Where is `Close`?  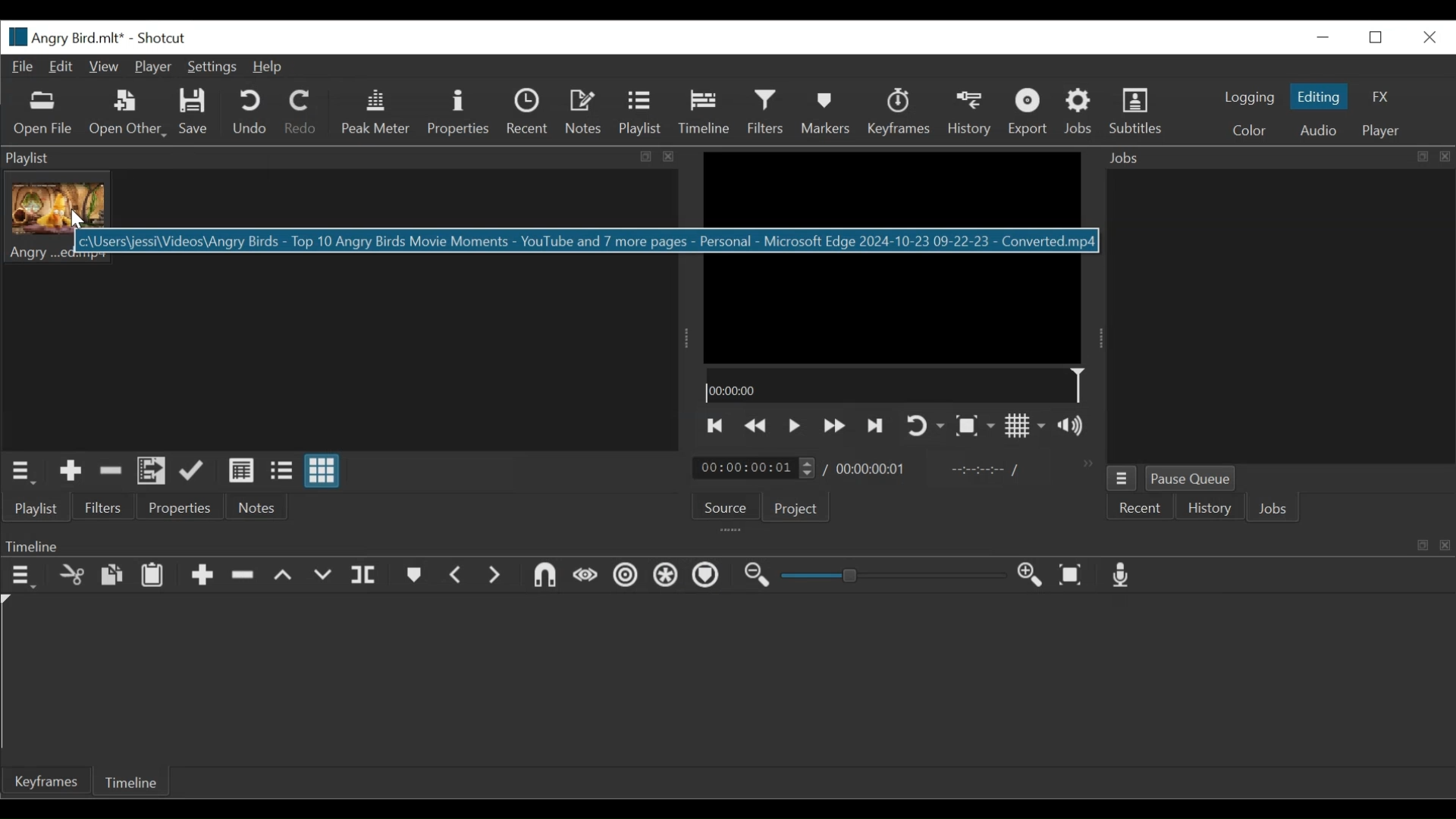 Close is located at coordinates (1430, 37).